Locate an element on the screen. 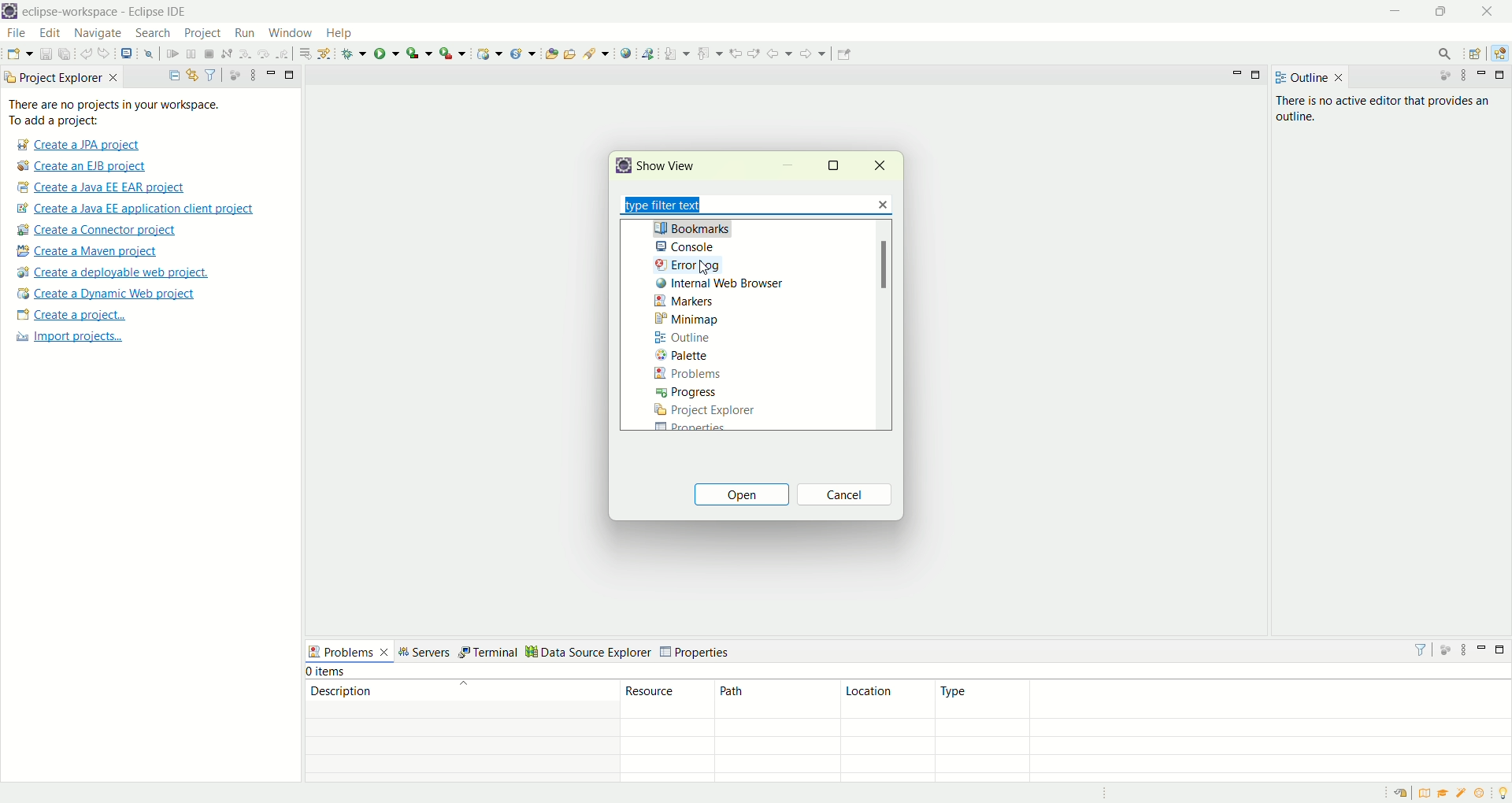  terminal is located at coordinates (489, 650).